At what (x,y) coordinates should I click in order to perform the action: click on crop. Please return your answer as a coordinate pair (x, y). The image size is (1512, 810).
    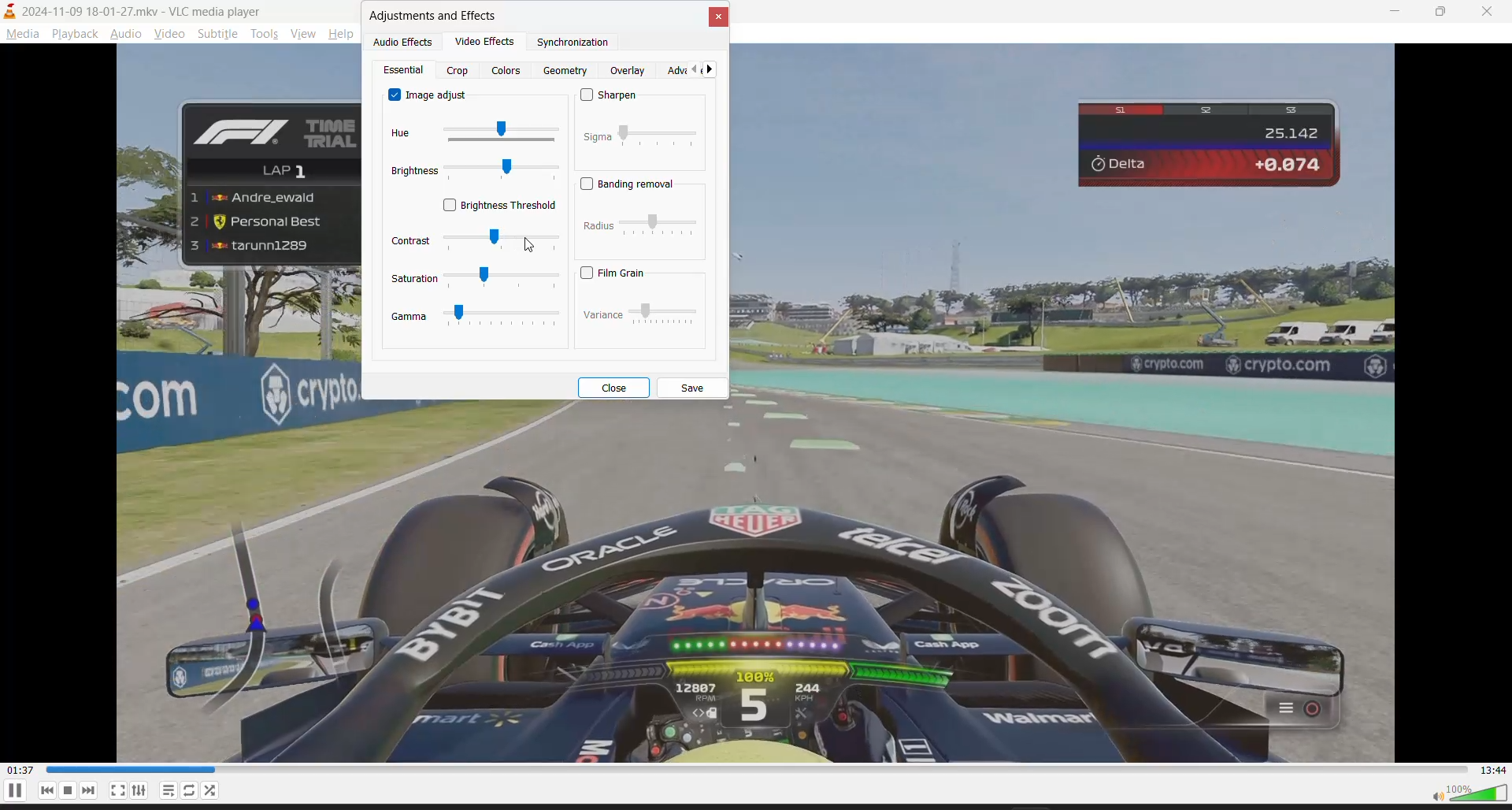
    Looking at the image, I should click on (461, 71).